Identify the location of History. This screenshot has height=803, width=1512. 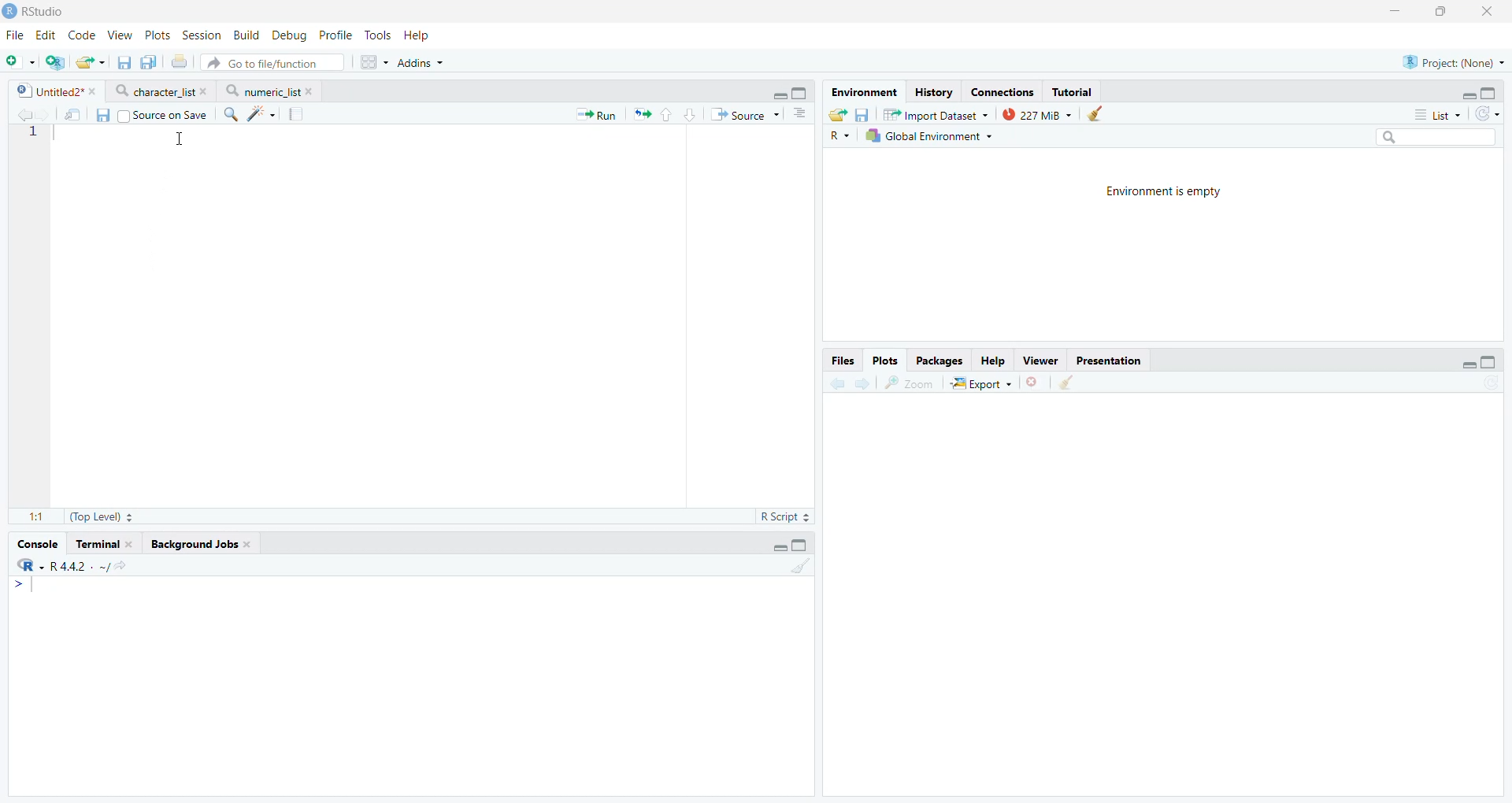
(933, 92).